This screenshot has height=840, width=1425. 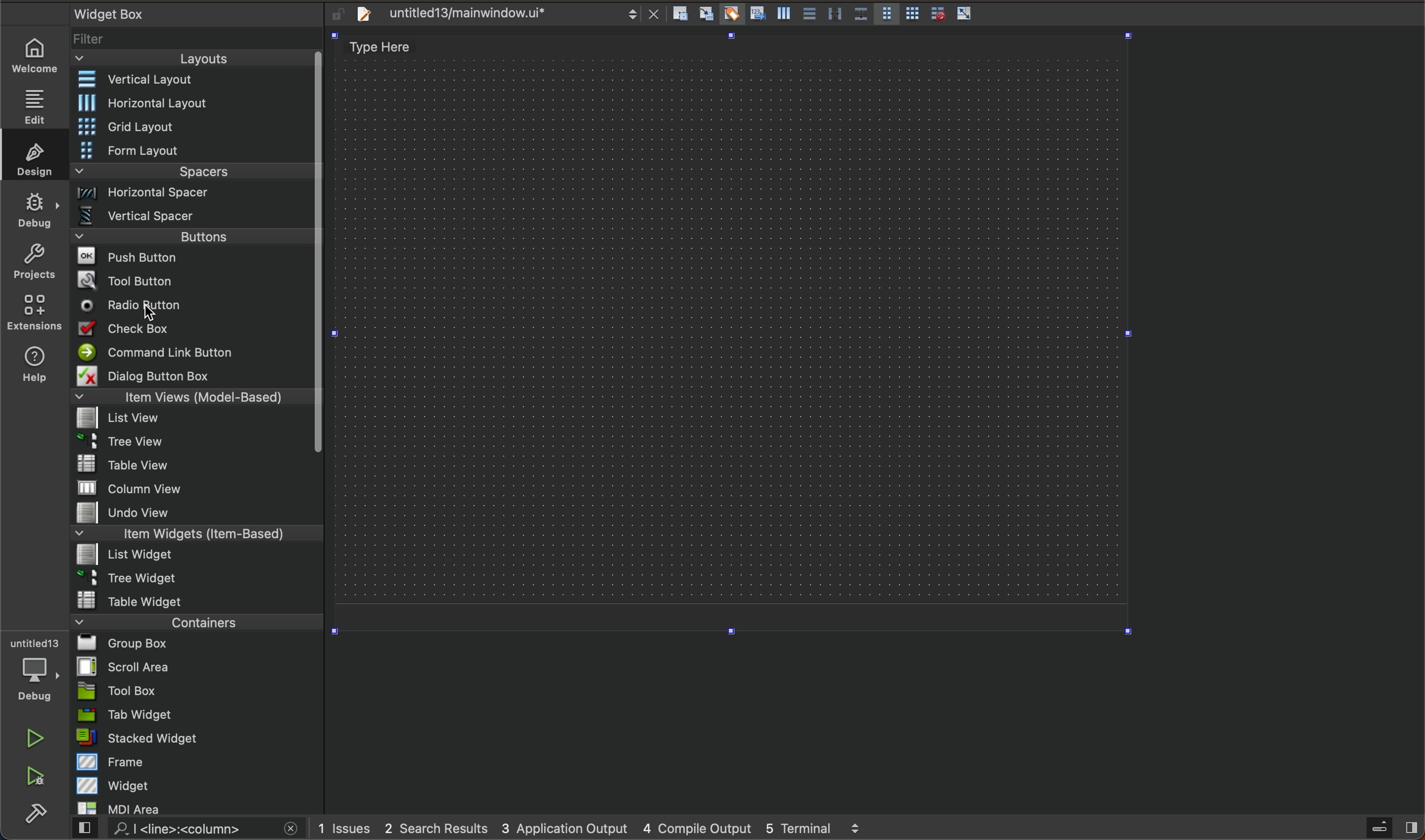 What do you see at coordinates (199, 714) in the screenshot?
I see `tab` at bounding box center [199, 714].